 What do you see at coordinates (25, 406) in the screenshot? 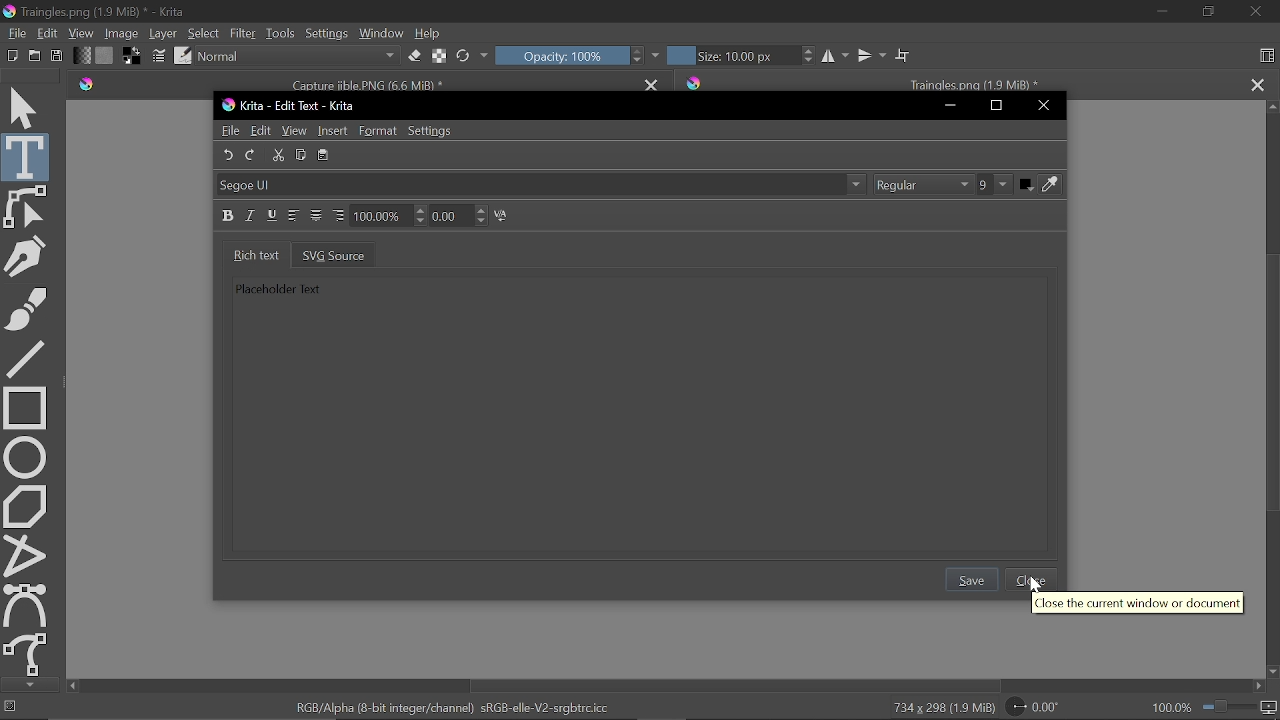
I see `Rectangle tool` at bounding box center [25, 406].